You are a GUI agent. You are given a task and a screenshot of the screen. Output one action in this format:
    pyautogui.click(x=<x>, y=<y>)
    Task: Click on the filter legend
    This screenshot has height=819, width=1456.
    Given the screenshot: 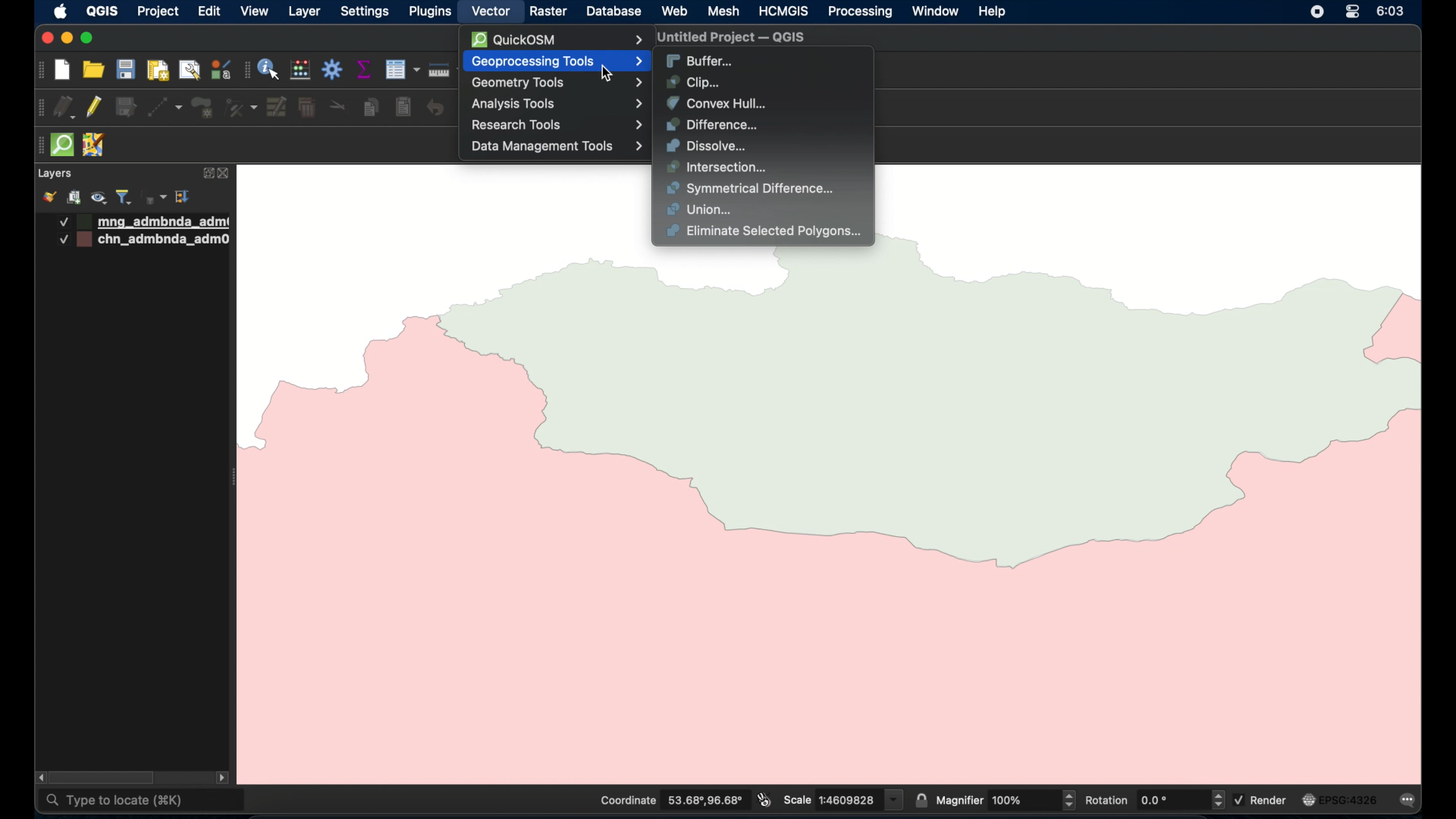 What is the action you would take?
    pyautogui.click(x=124, y=197)
    